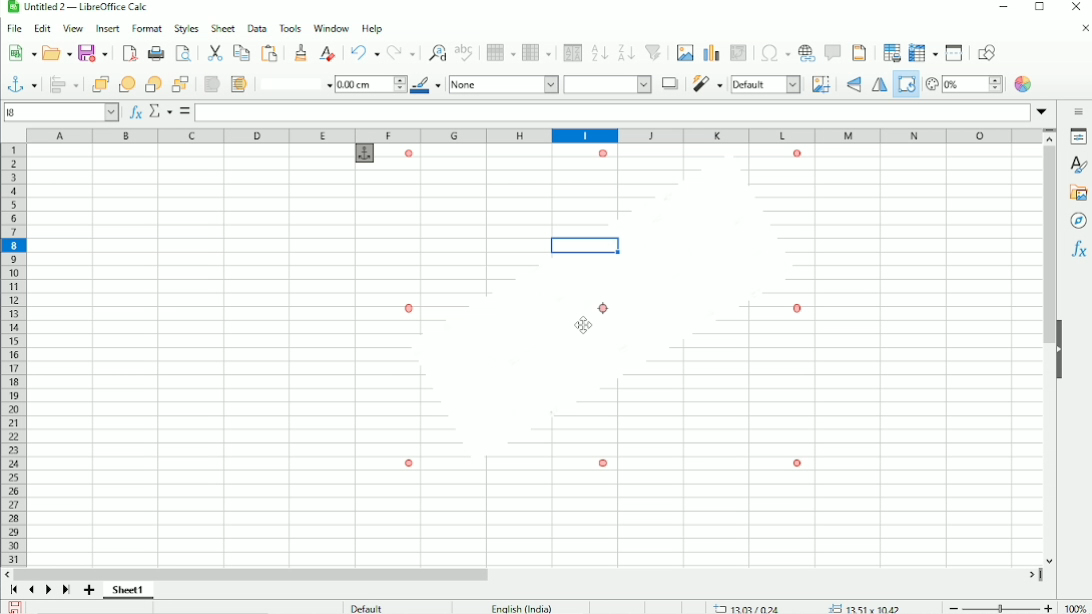  What do you see at coordinates (1079, 222) in the screenshot?
I see `Navigator` at bounding box center [1079, 222].